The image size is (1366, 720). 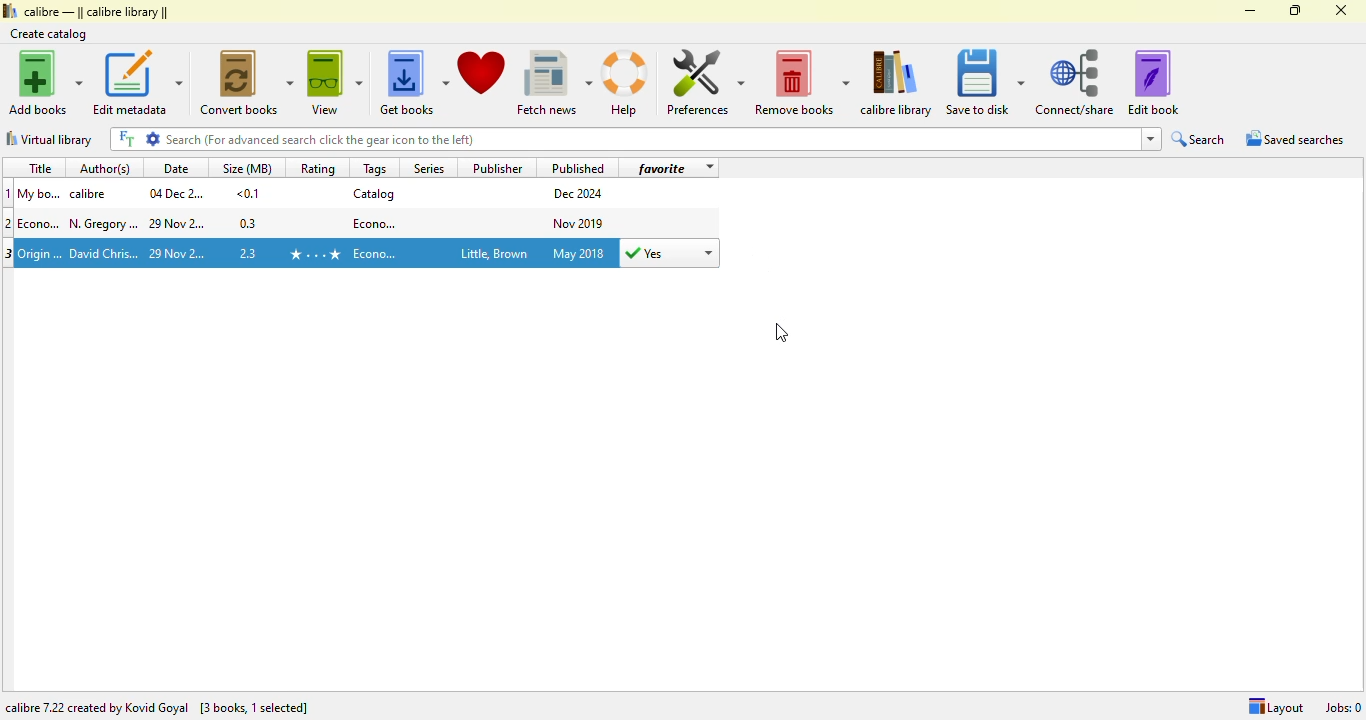 What do you see at coordinates (580, 222) in the screenshot?
I see `publish date` at bounding box center [580, 222].